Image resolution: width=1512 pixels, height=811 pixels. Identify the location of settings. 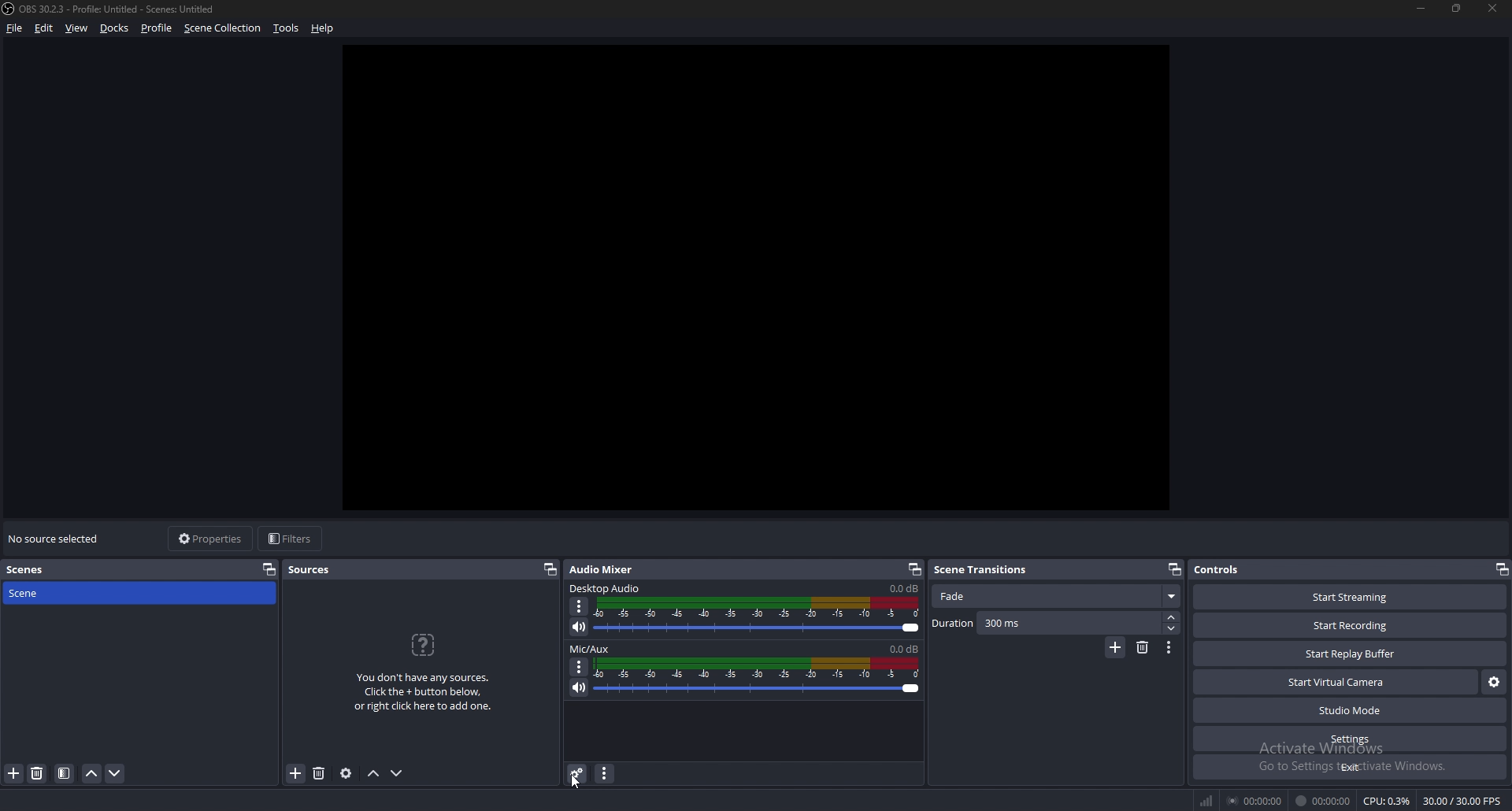
(1349, 739).